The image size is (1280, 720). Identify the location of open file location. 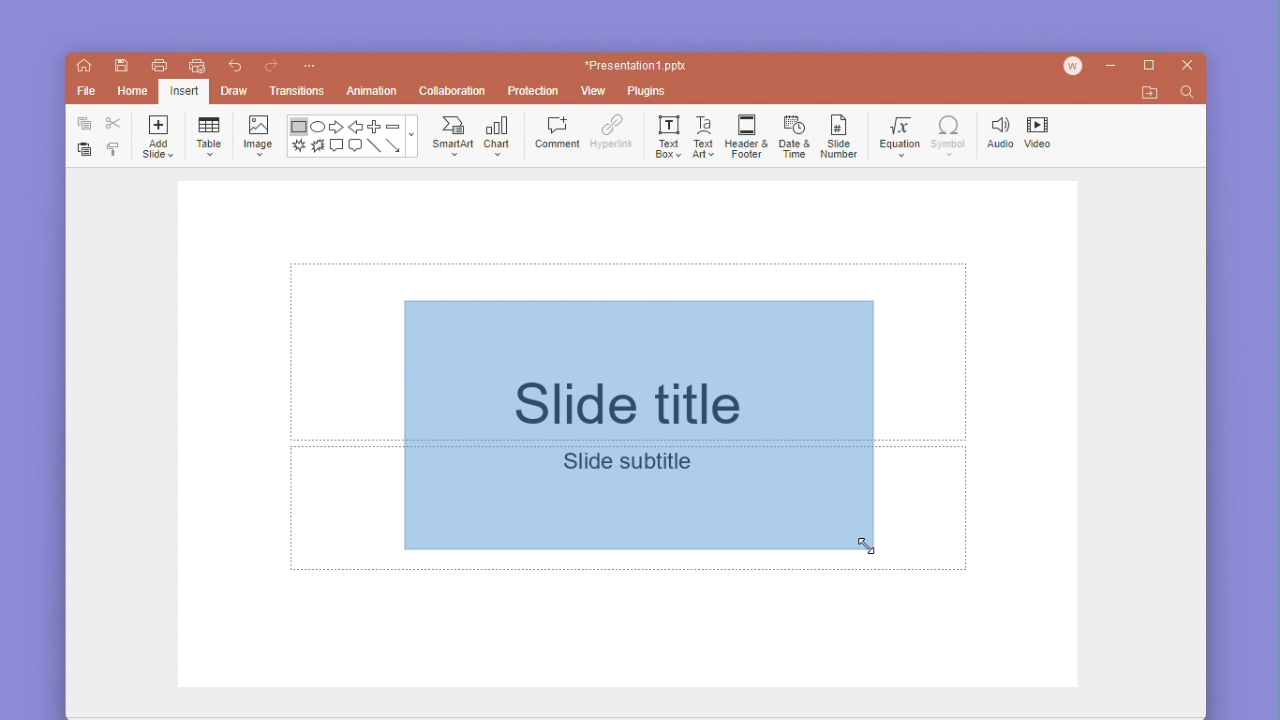
(1149, 93).